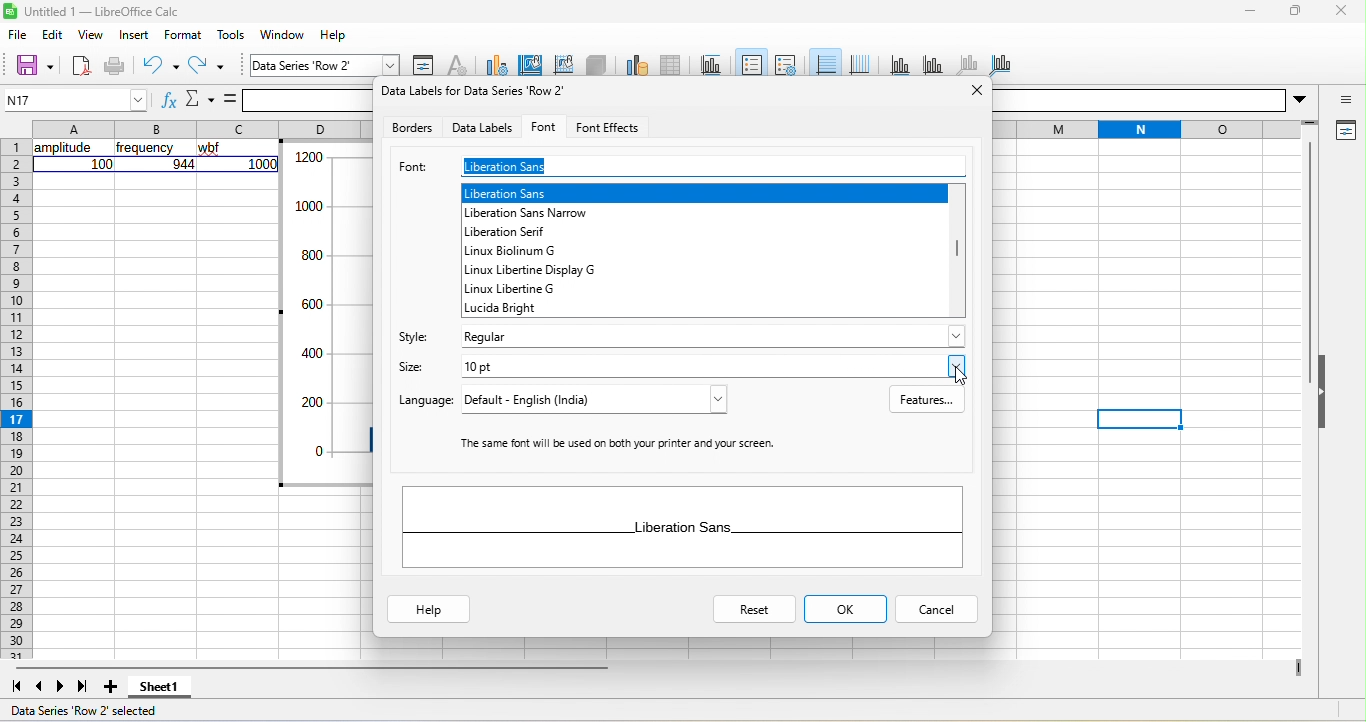  I want to click on ok, so click(846, 609).